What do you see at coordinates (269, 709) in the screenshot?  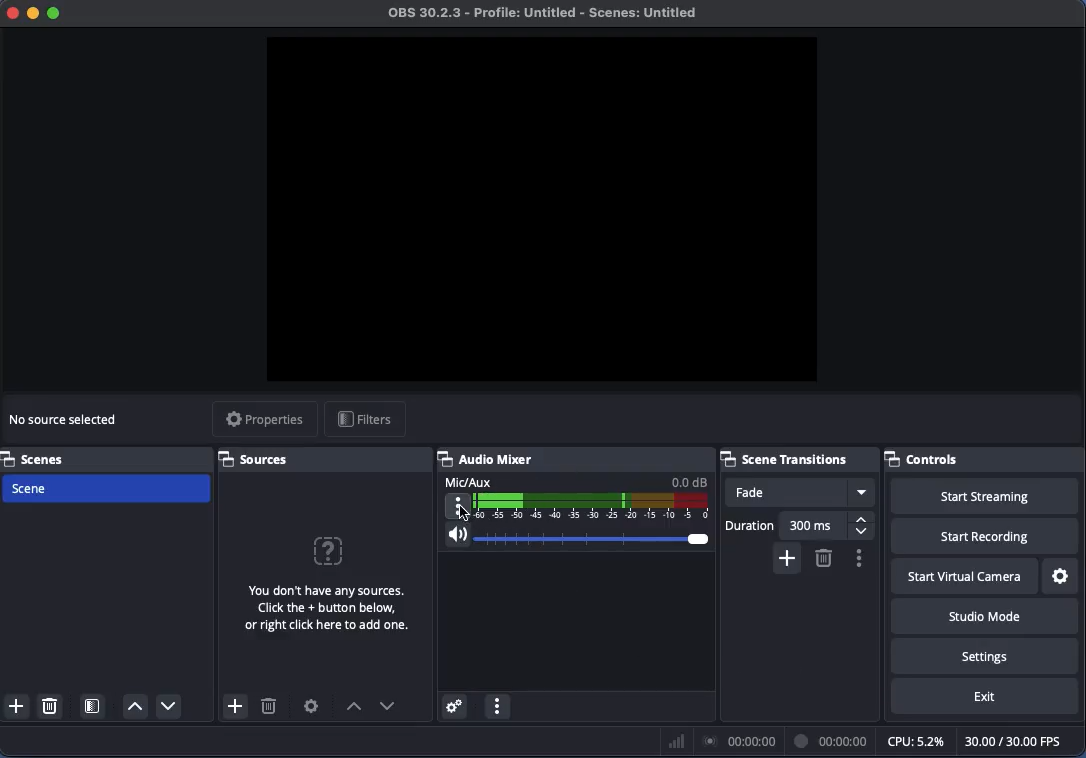 I see `Delete` at bounding box center [269, 709].